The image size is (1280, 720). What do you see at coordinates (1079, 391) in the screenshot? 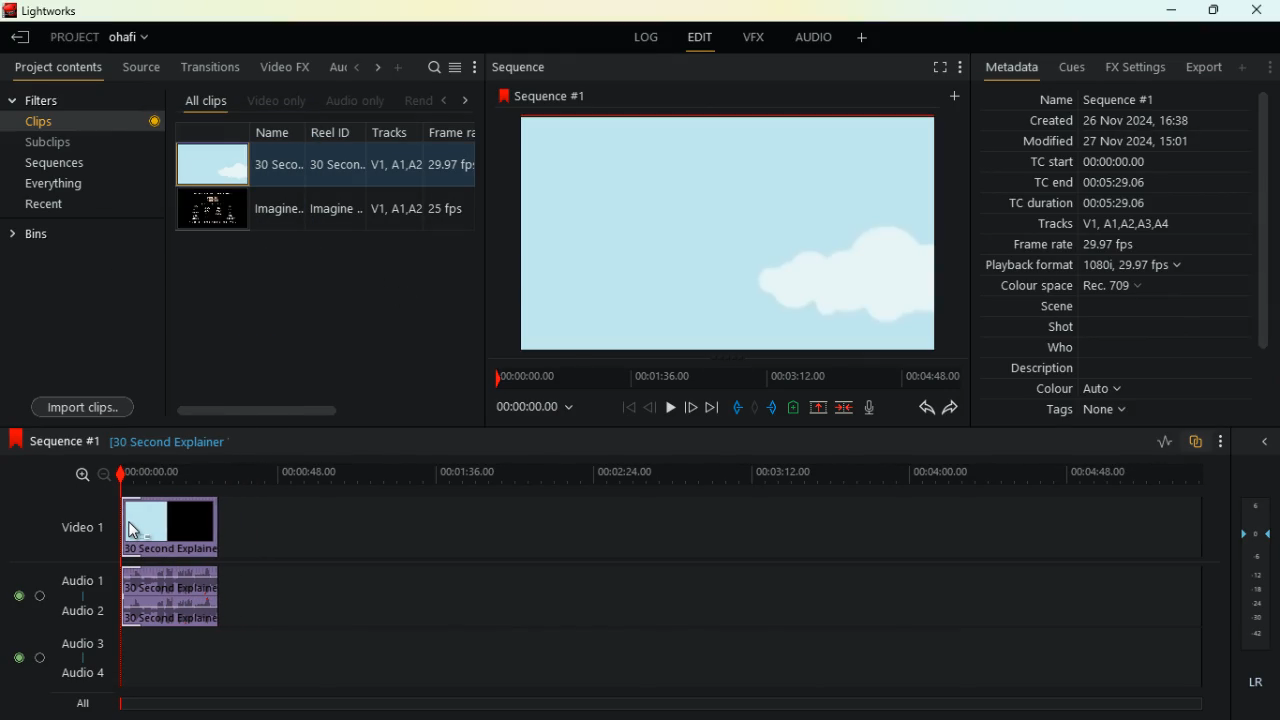
I see `colour` at bounding box center [1079, 391].